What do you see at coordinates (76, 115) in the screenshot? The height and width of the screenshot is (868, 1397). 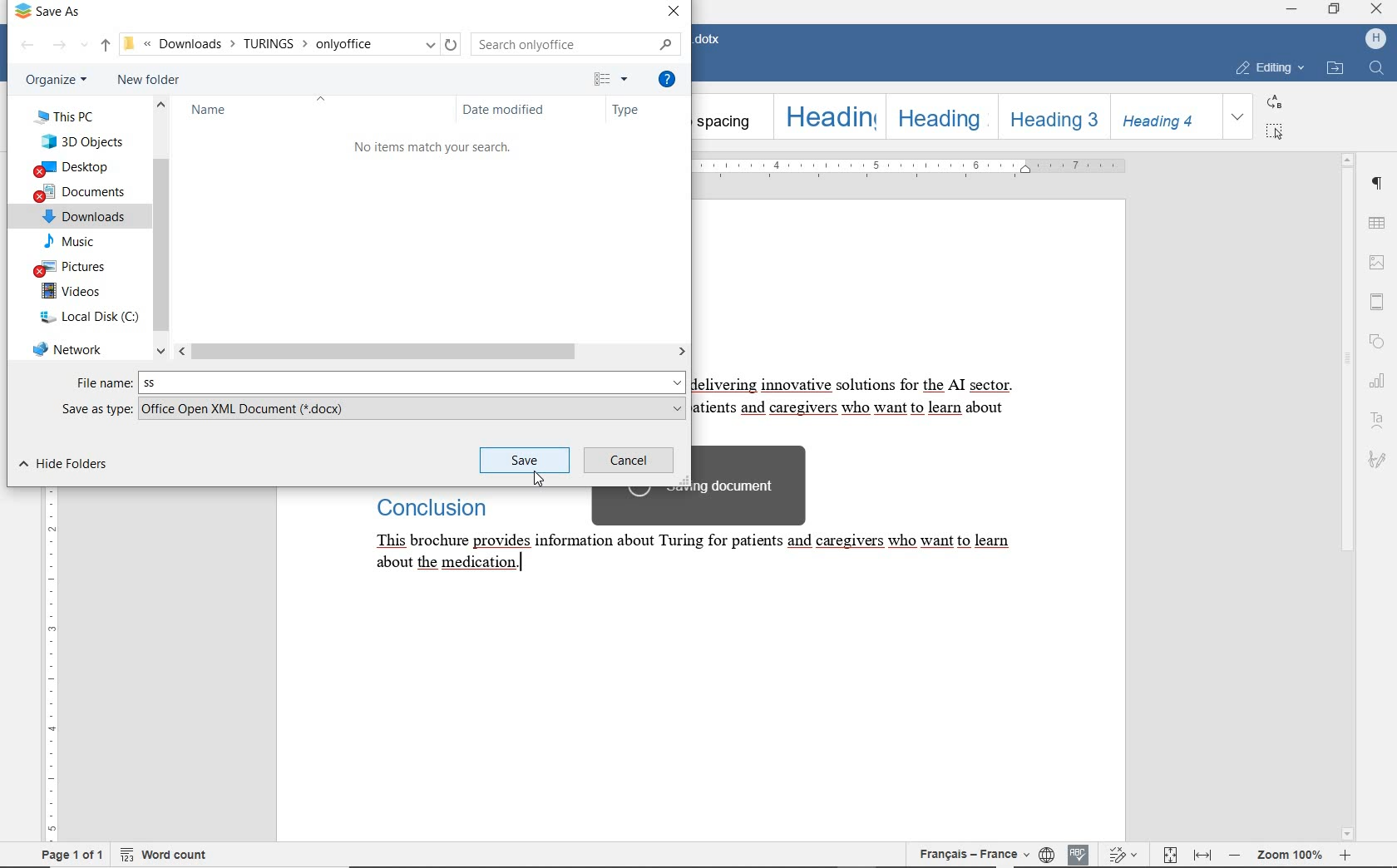 I see `THIS PC` at bounding box center [76, 115].